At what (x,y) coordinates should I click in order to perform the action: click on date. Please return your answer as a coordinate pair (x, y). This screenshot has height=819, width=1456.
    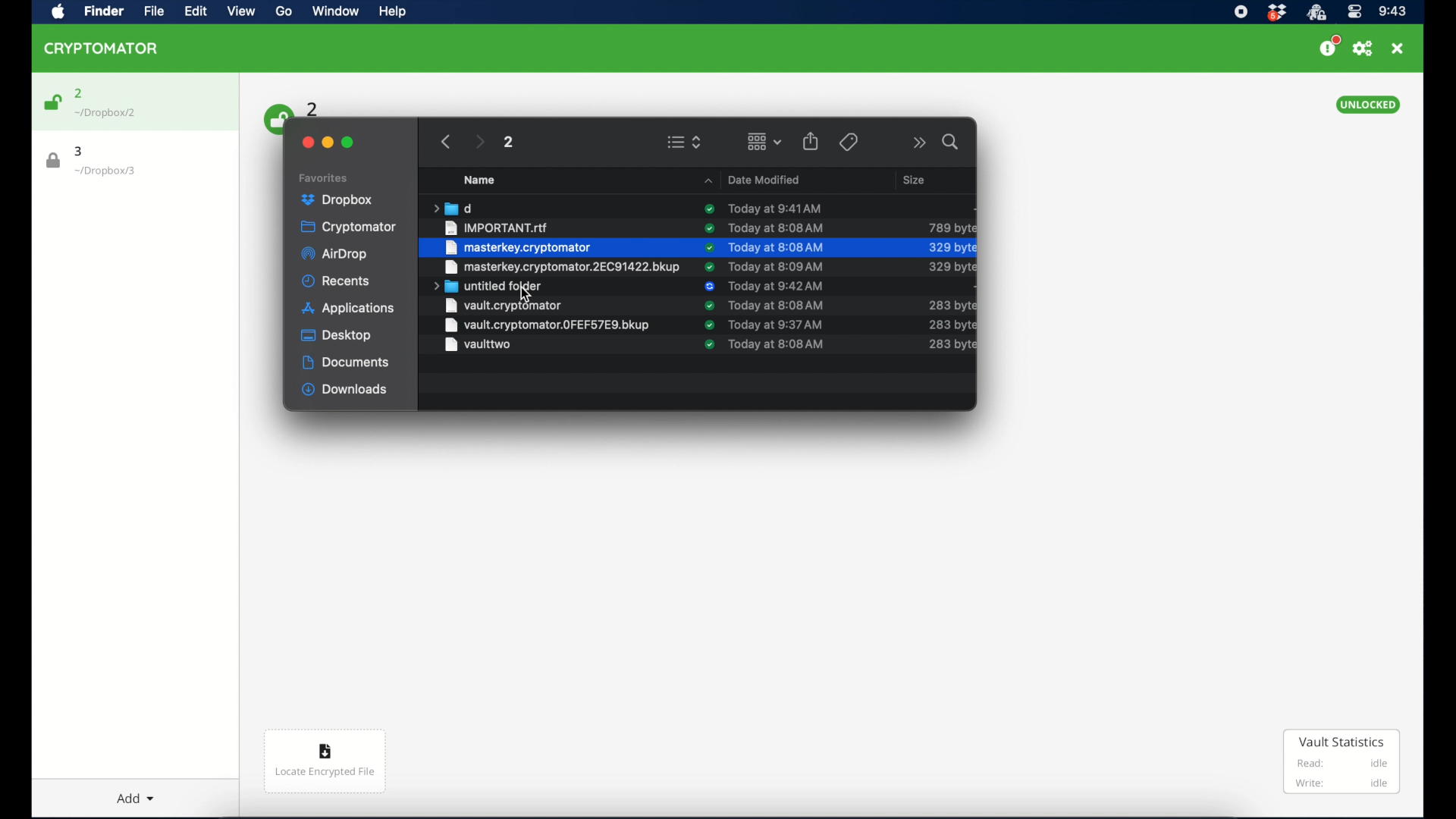
    Looking at the image, I should click on (777, 287).